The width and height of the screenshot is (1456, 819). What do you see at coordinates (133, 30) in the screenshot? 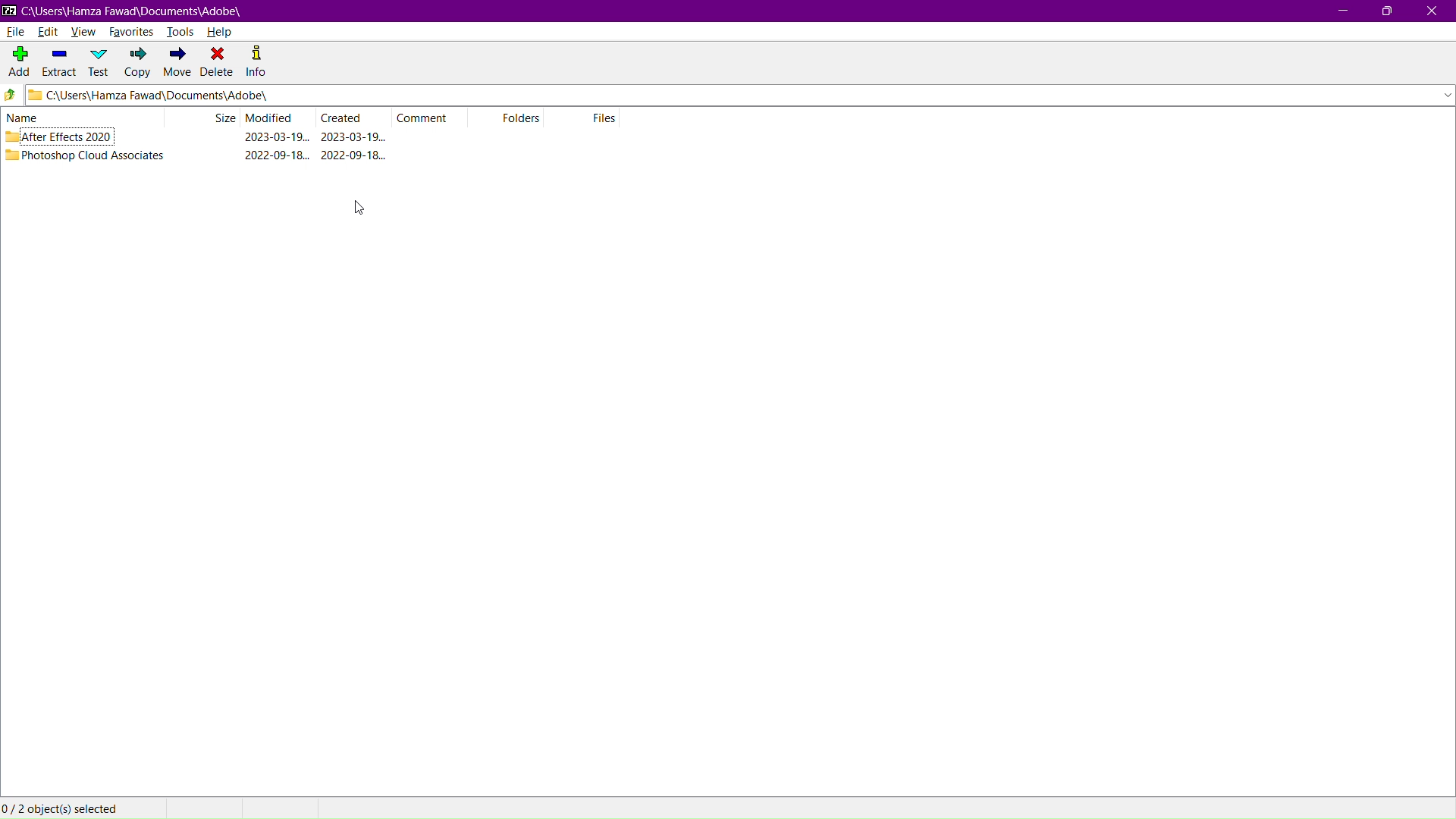
I see `Favorites` at bounding box center [133, 30].